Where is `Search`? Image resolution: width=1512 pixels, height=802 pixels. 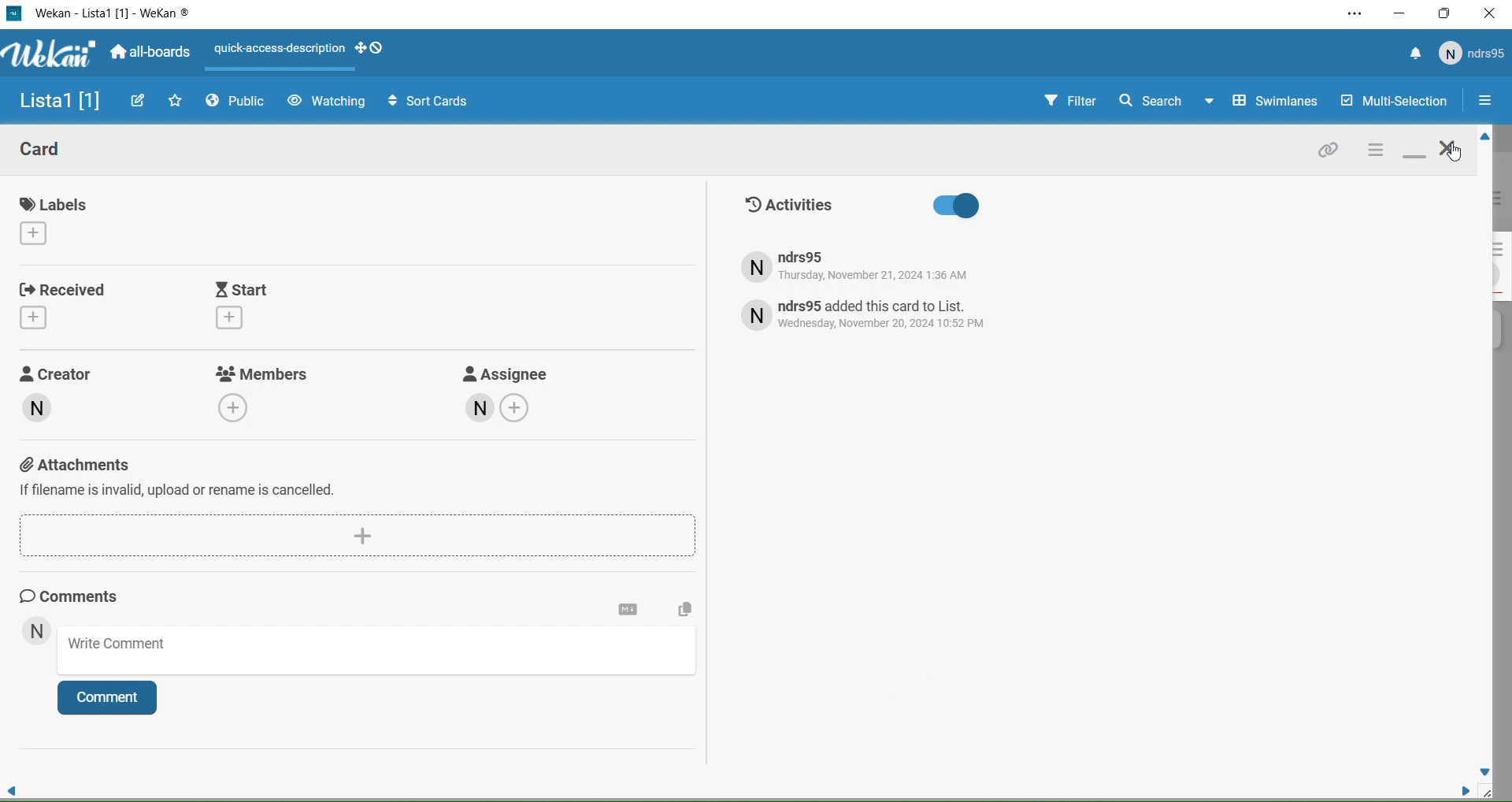
Search is located at coordinates (1150, 100).